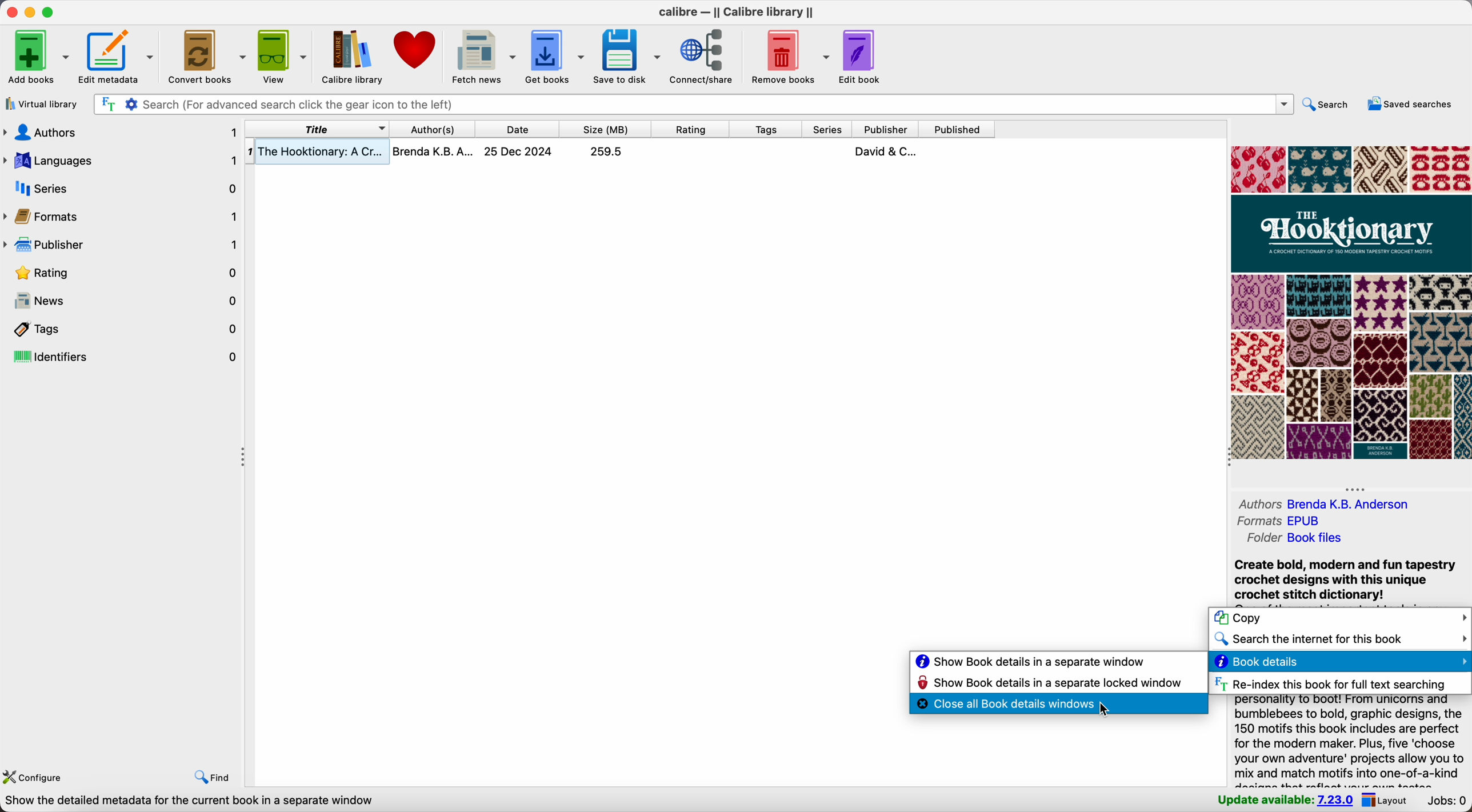  Describe the element at coordinates (1389, 801) in the screenshot. I see `layout` at that location.